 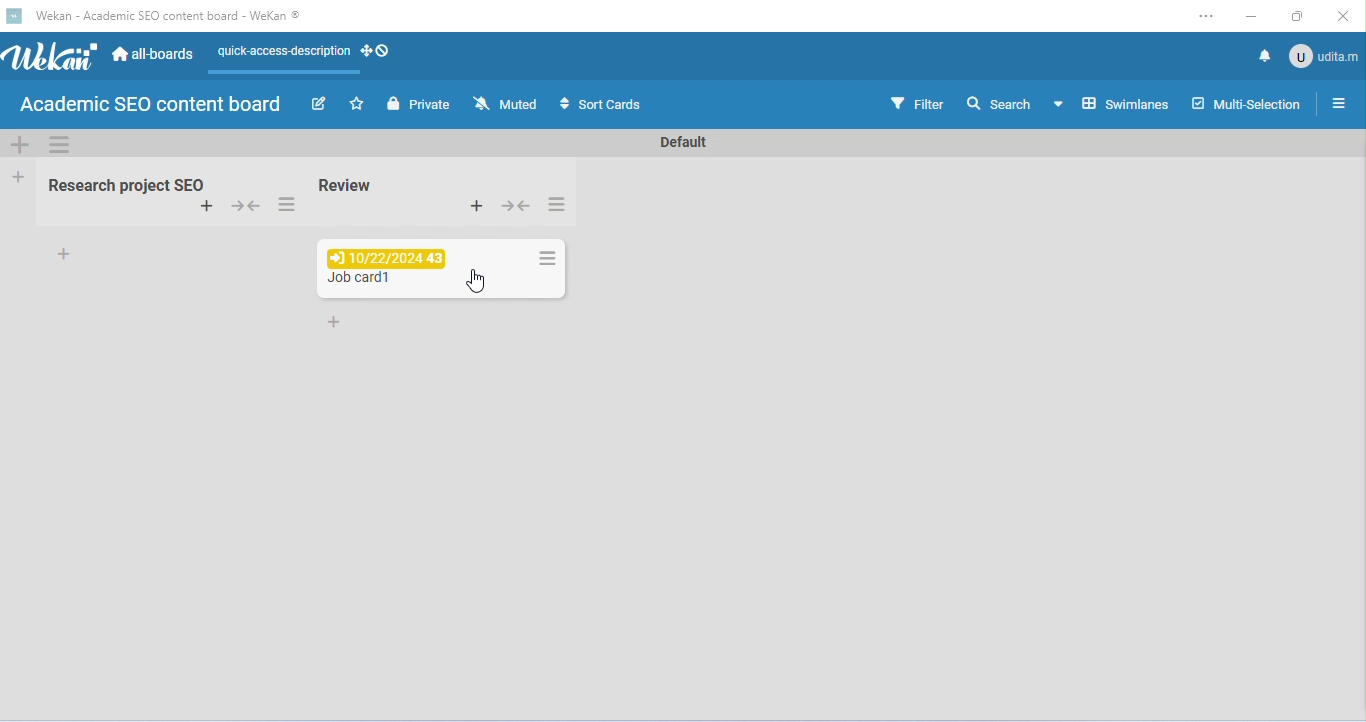 I want to click on board name, so click(x=149, y=105).